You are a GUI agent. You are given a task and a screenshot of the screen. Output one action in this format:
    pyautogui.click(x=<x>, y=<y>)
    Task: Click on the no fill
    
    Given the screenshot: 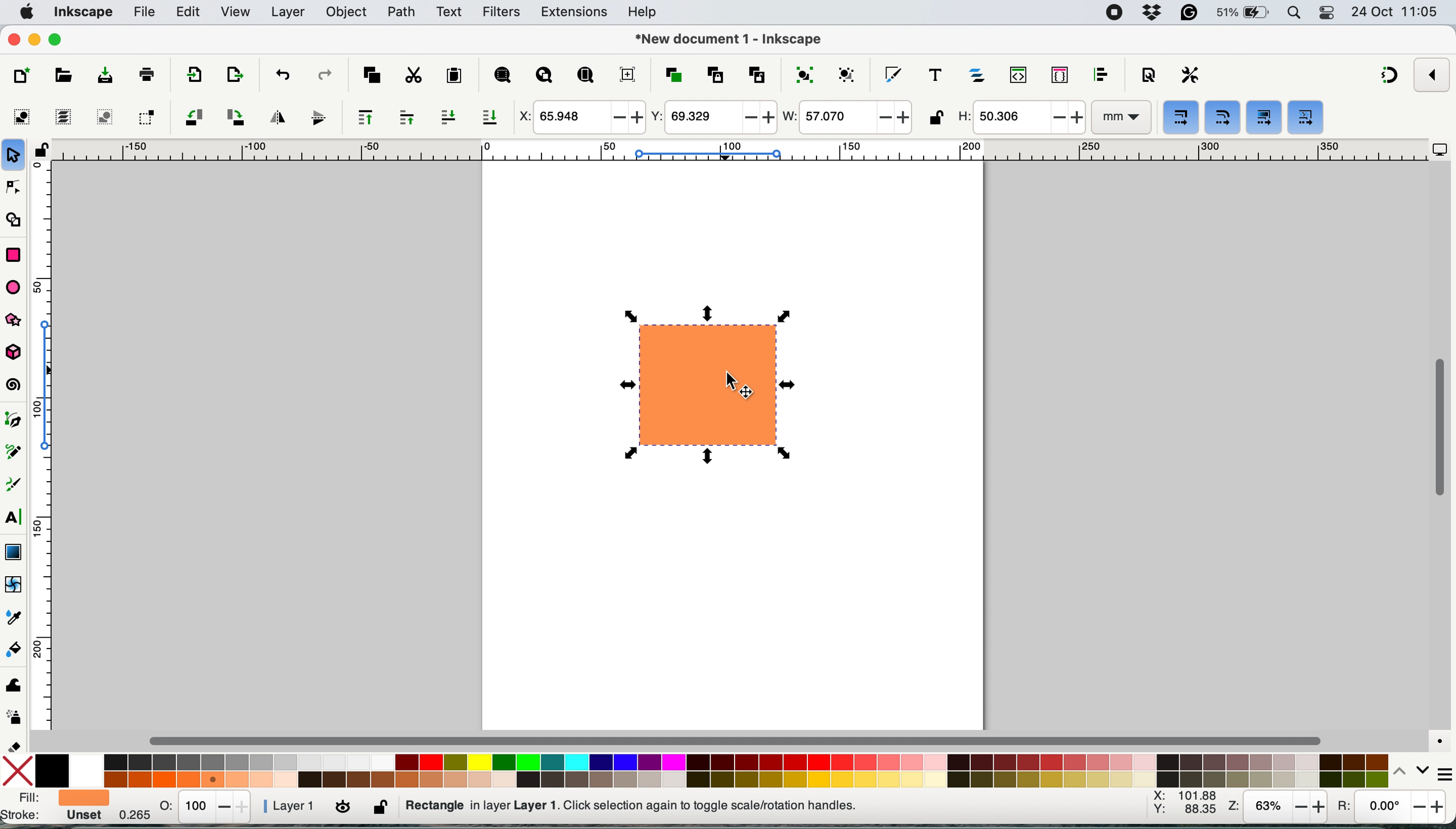 What is the action you would take?
    pyautogui.click(x=20, y=769)
    